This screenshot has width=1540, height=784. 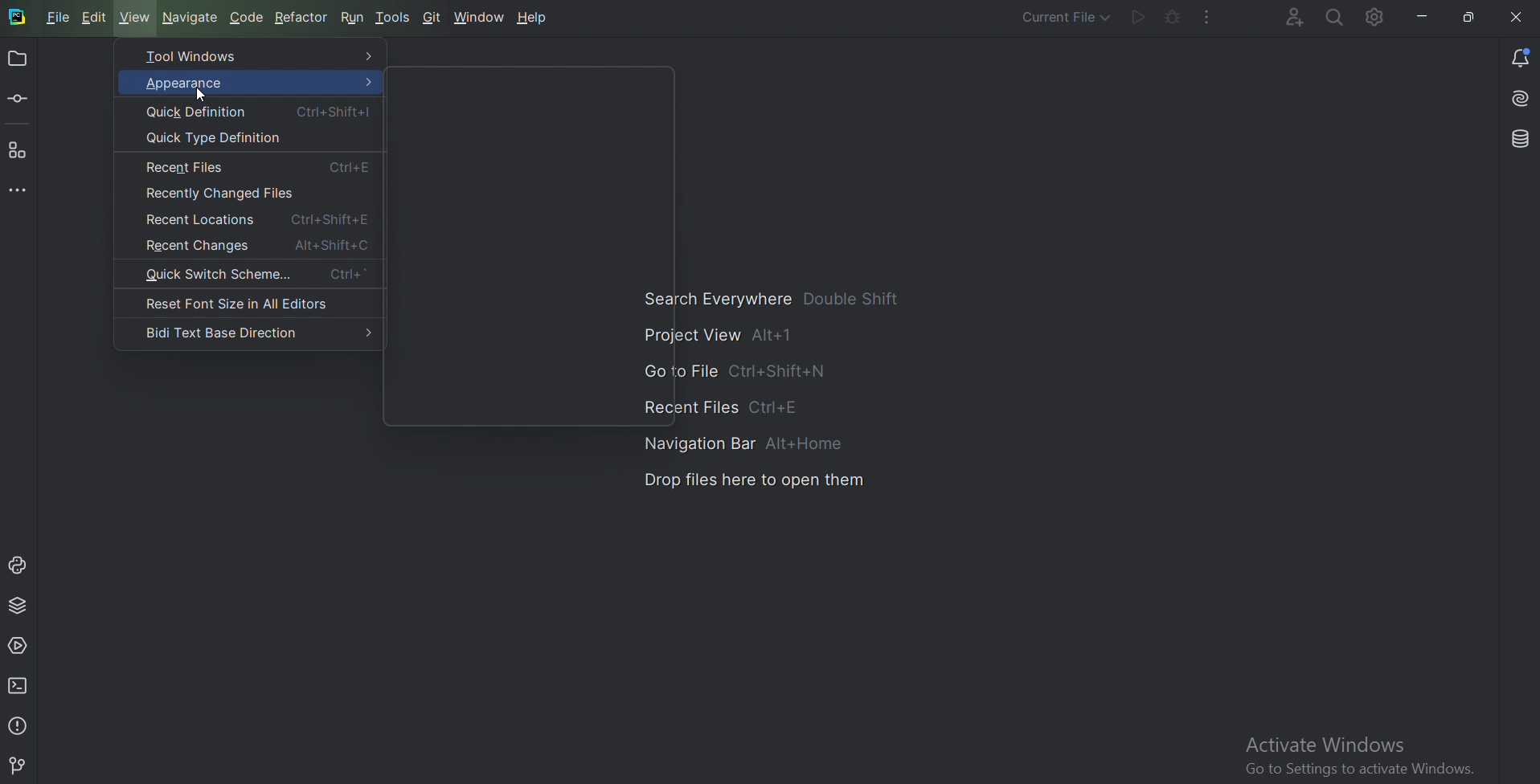 I want to click on Tools, so click(x=395, y=15).